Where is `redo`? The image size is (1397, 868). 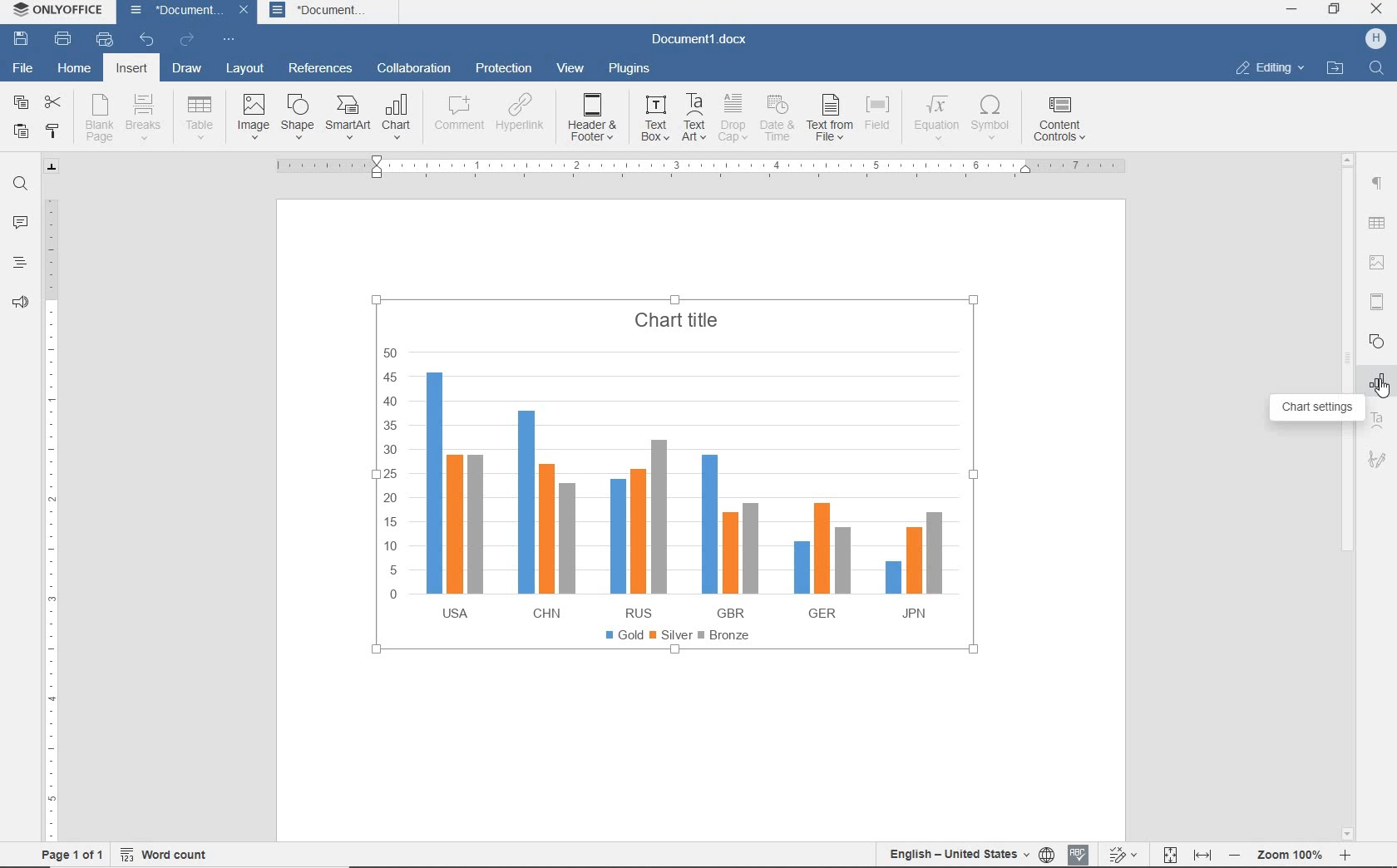
redo is located at coordinates (186, 41).